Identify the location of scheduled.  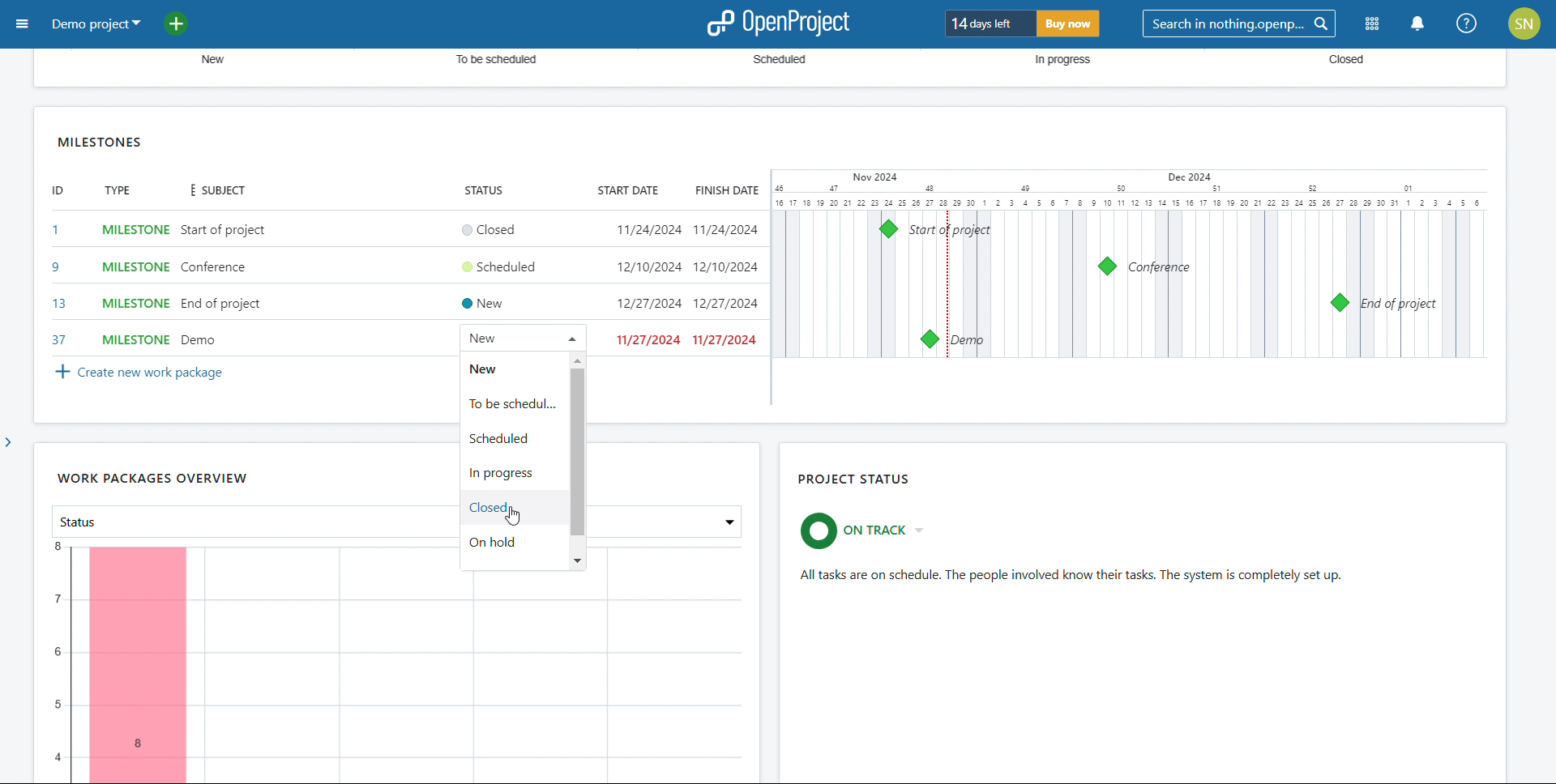
(511, 438).